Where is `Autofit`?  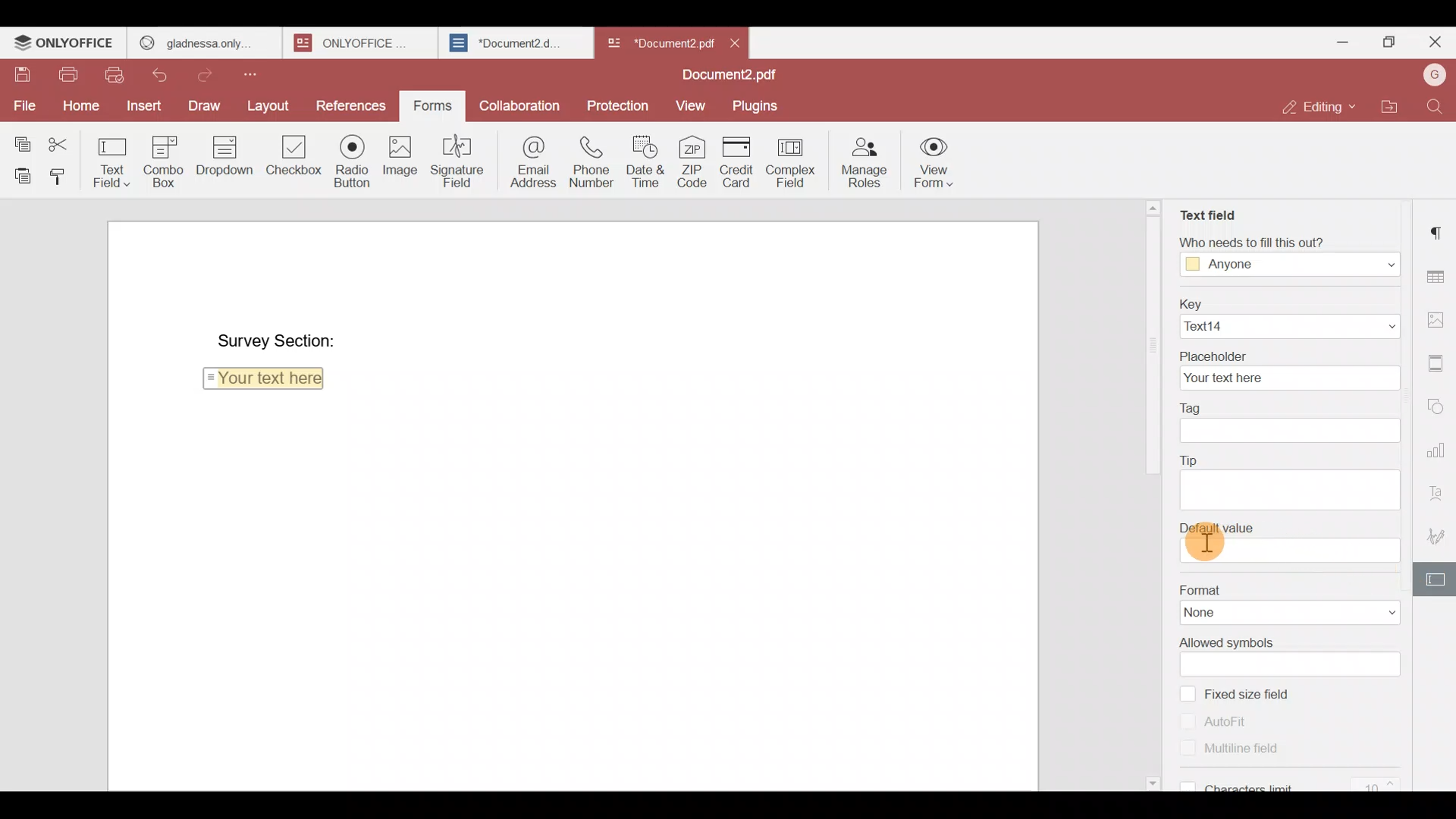
Autofit is located at coordinates (1215, 721).